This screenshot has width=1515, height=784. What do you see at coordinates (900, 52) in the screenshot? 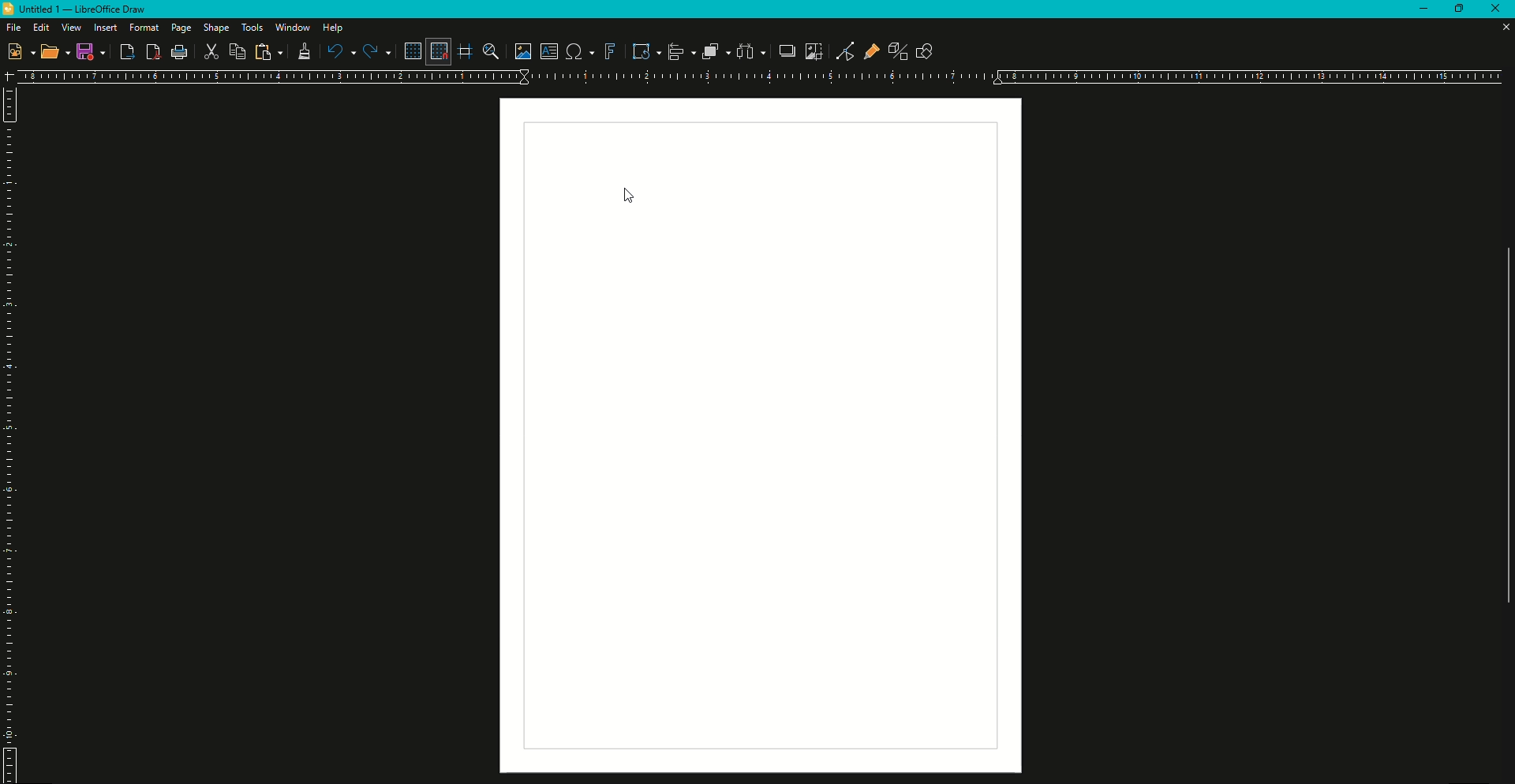
I see `Toggle Extrusion` at bounding box center [900, 52].